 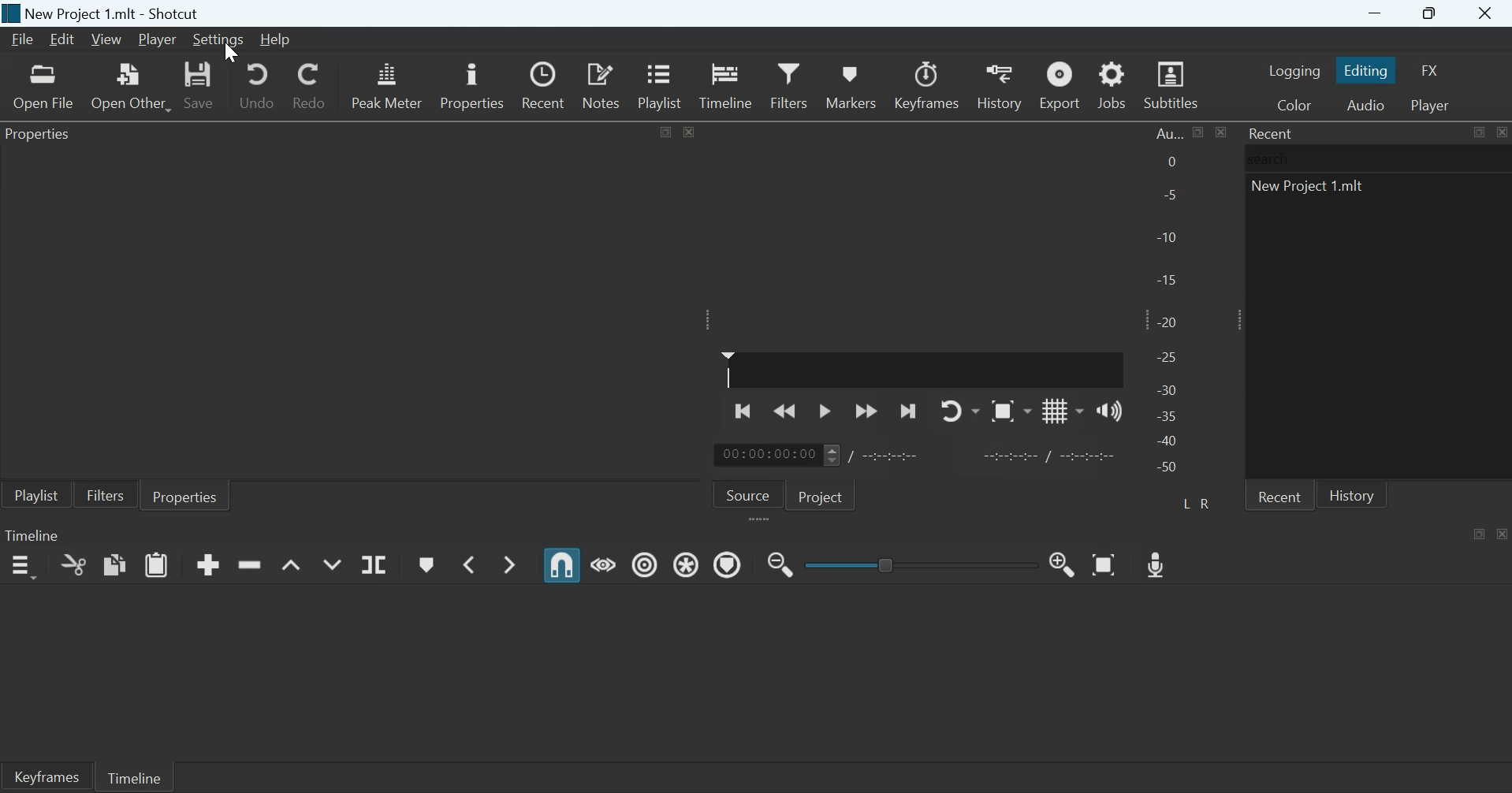 I want to click on Maximize, so click(x=1480, y=533).